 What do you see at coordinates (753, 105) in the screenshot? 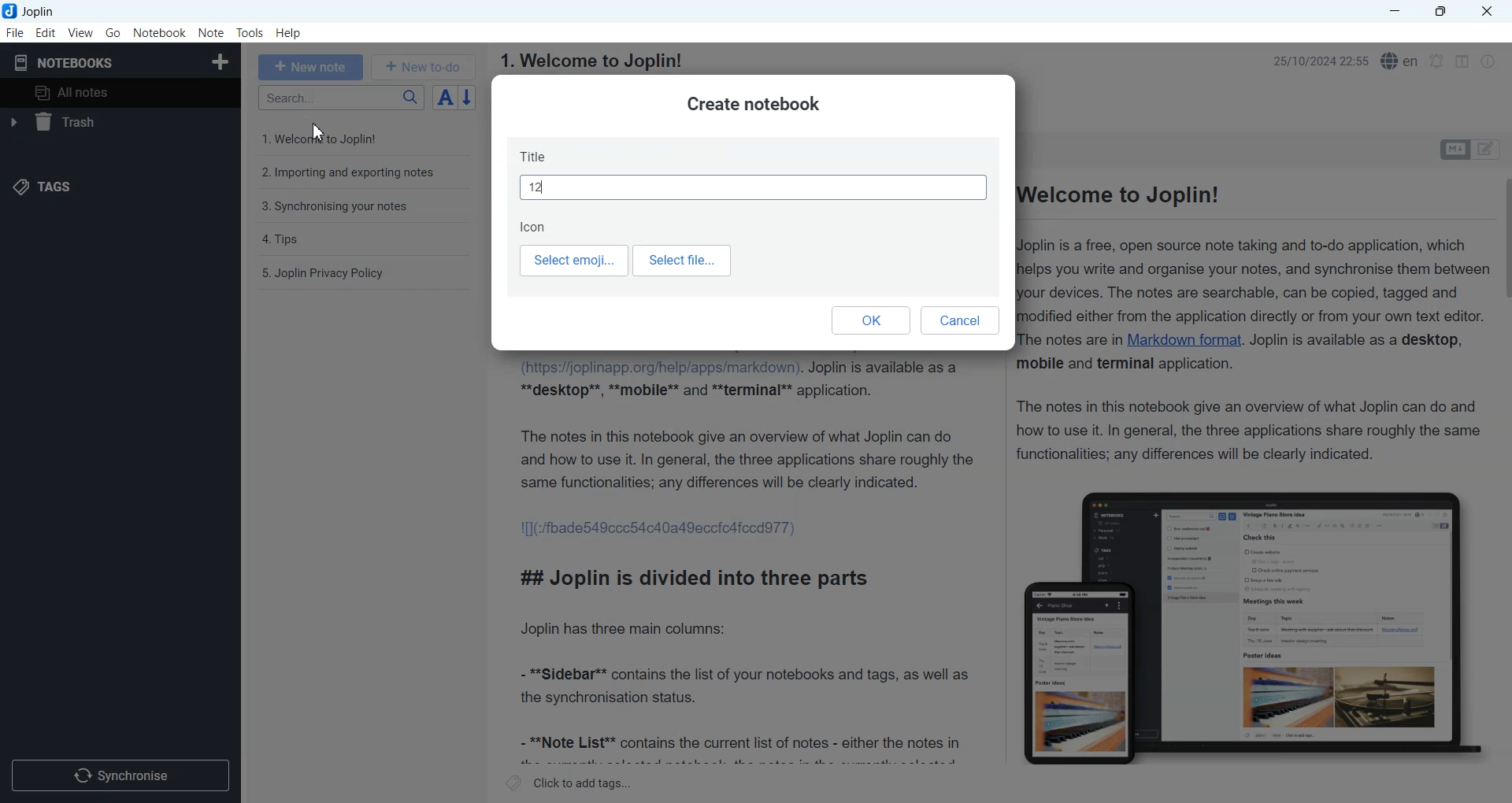
I see `Crate notebook` at bounding box center [753, 105].